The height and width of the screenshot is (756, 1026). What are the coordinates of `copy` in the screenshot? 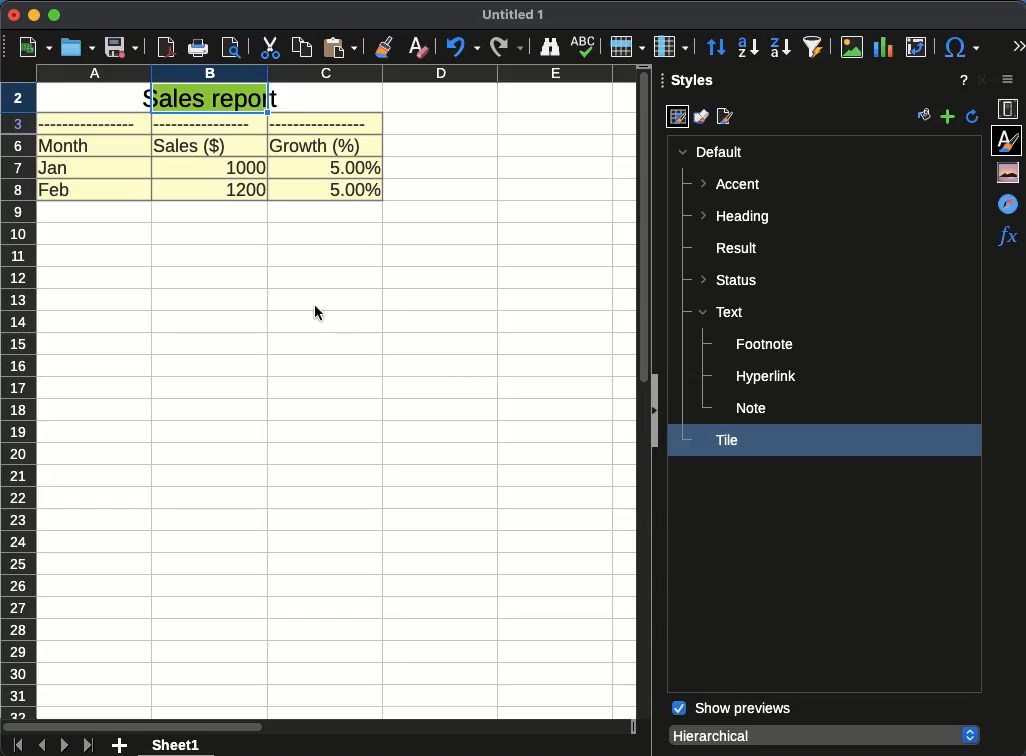 It's located at (303, 48).